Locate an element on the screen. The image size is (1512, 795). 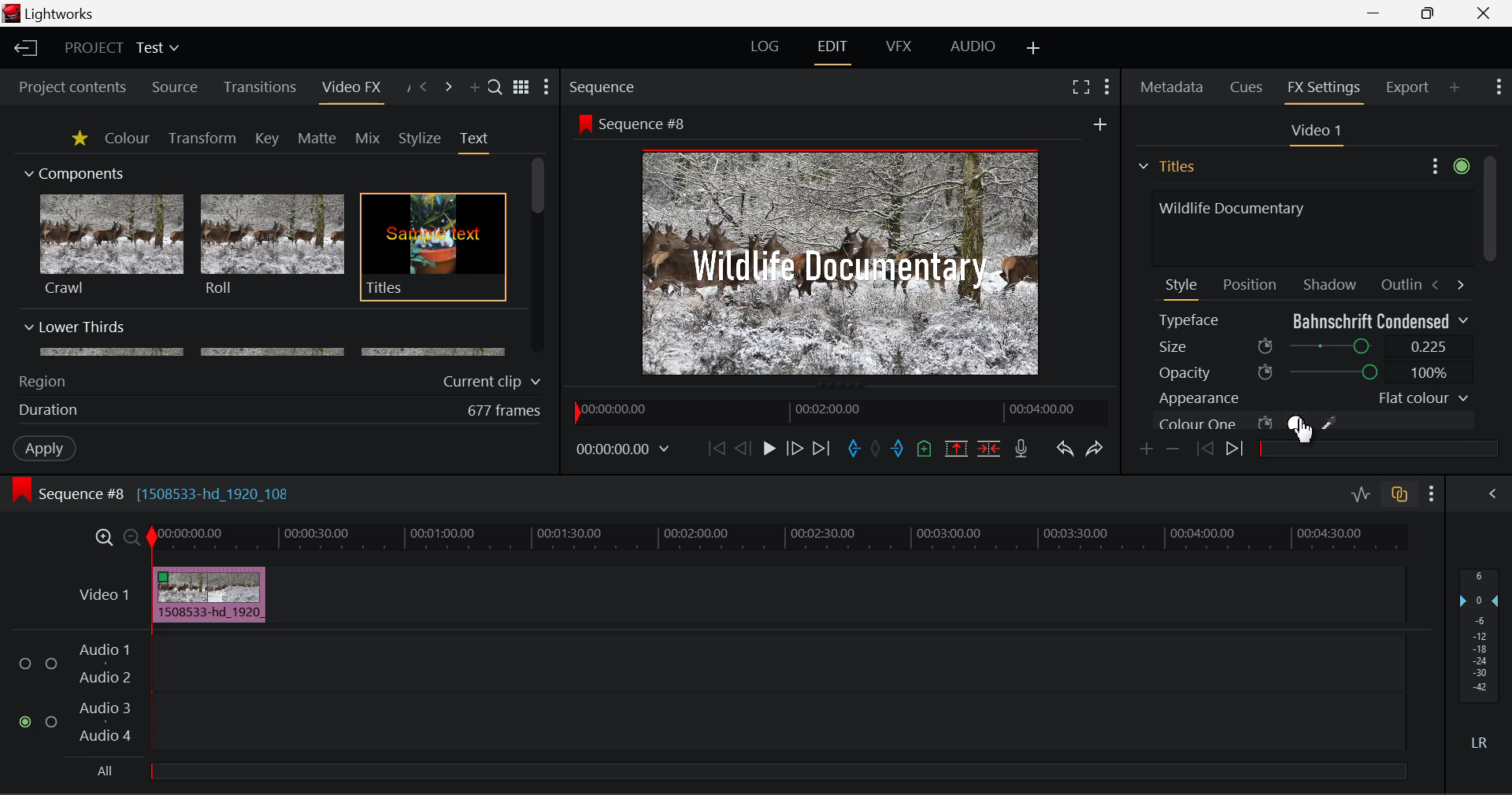
Remove Marked Section is located at coordinates (956, 449).